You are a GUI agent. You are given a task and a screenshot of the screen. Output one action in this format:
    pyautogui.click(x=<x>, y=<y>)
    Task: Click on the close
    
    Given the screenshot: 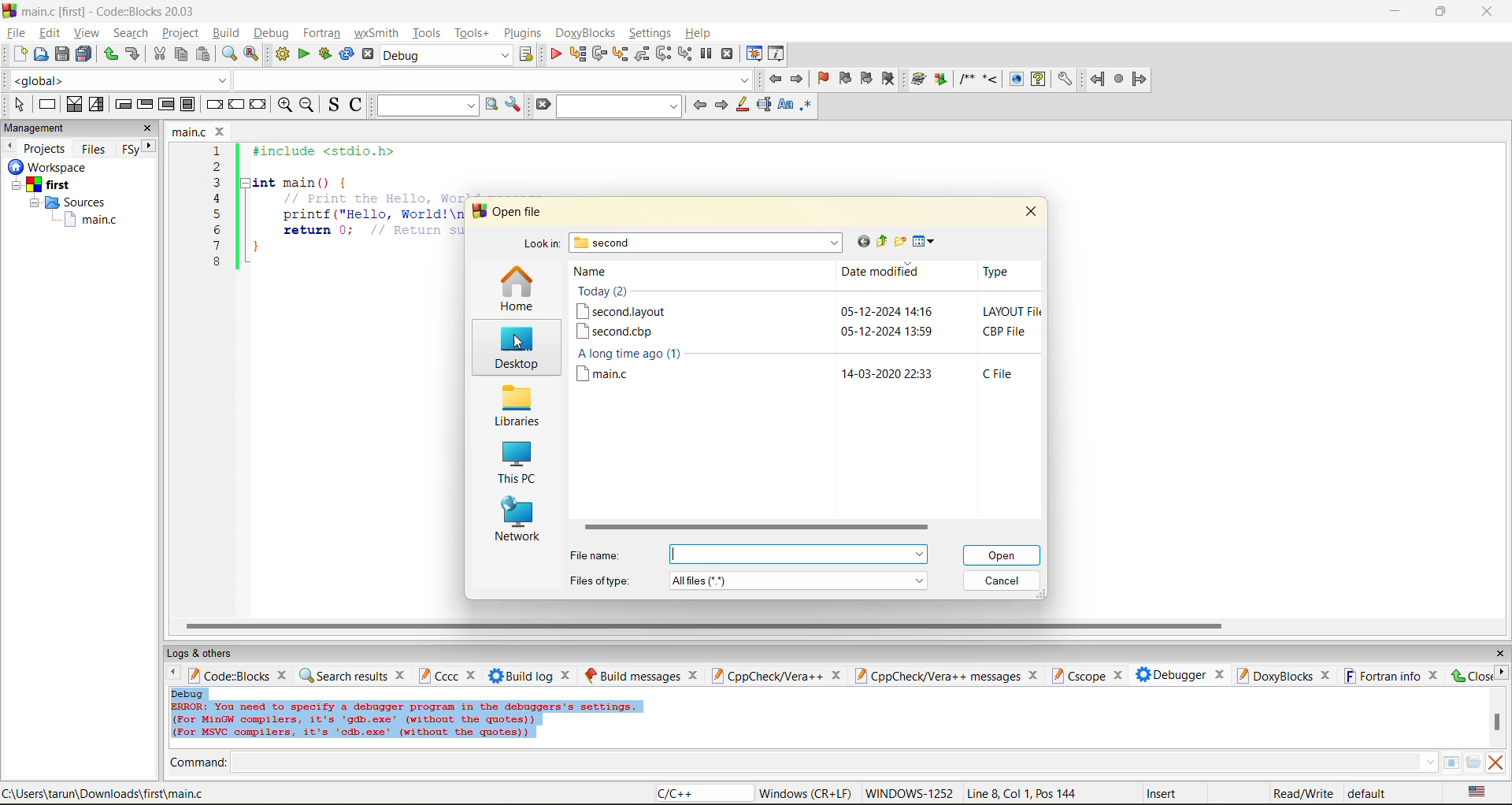 What is the action you would take?
    pyautogui.click(x=148, y=128)
    